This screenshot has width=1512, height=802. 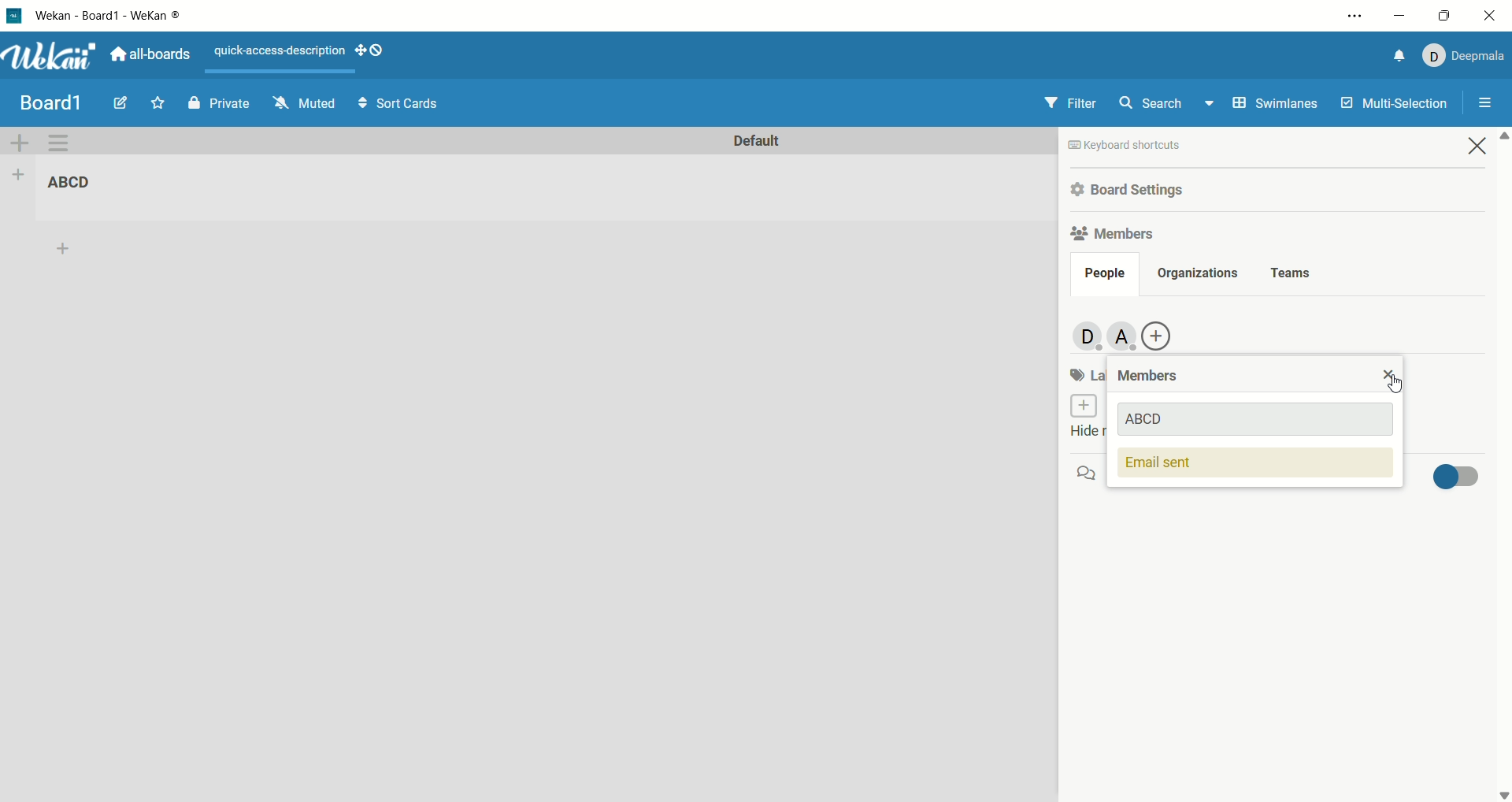 What do you see at coordinates (1151, 377) in the screenshot?
I see `members` at bounding box center [1151, 377].